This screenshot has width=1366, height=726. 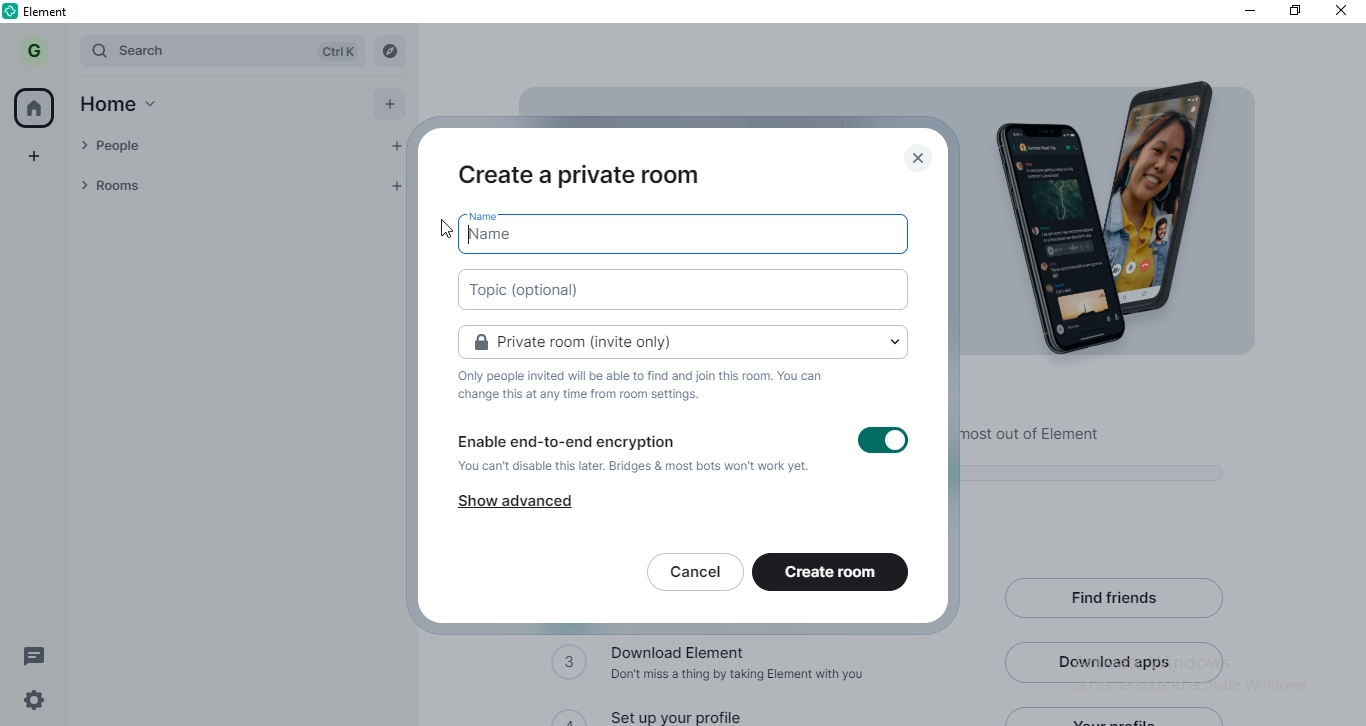 What do you see at coordinates (402, 188) in the screenshot?
I see `add room` at bounding box center [402, 188].